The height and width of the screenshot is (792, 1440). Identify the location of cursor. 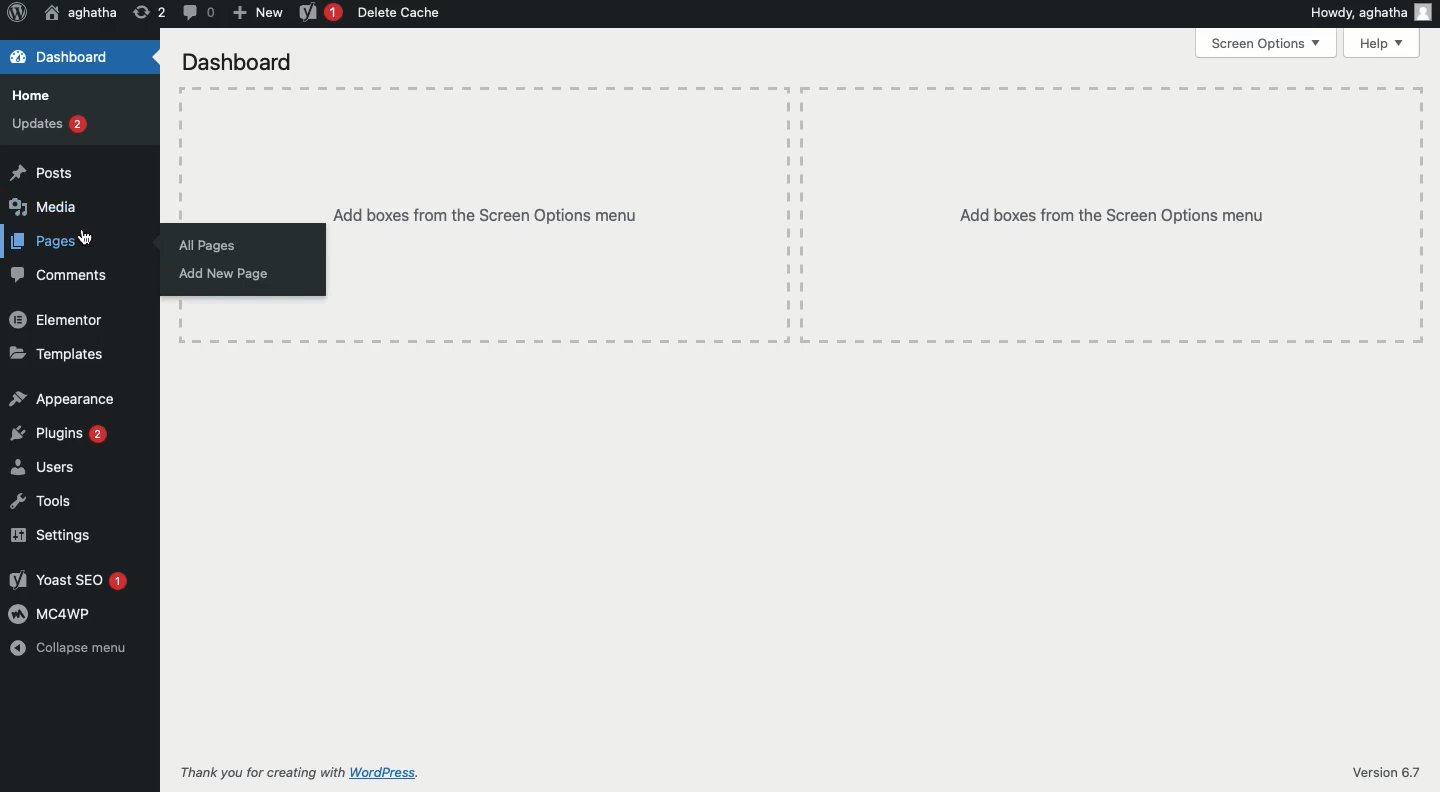
(87, 239).